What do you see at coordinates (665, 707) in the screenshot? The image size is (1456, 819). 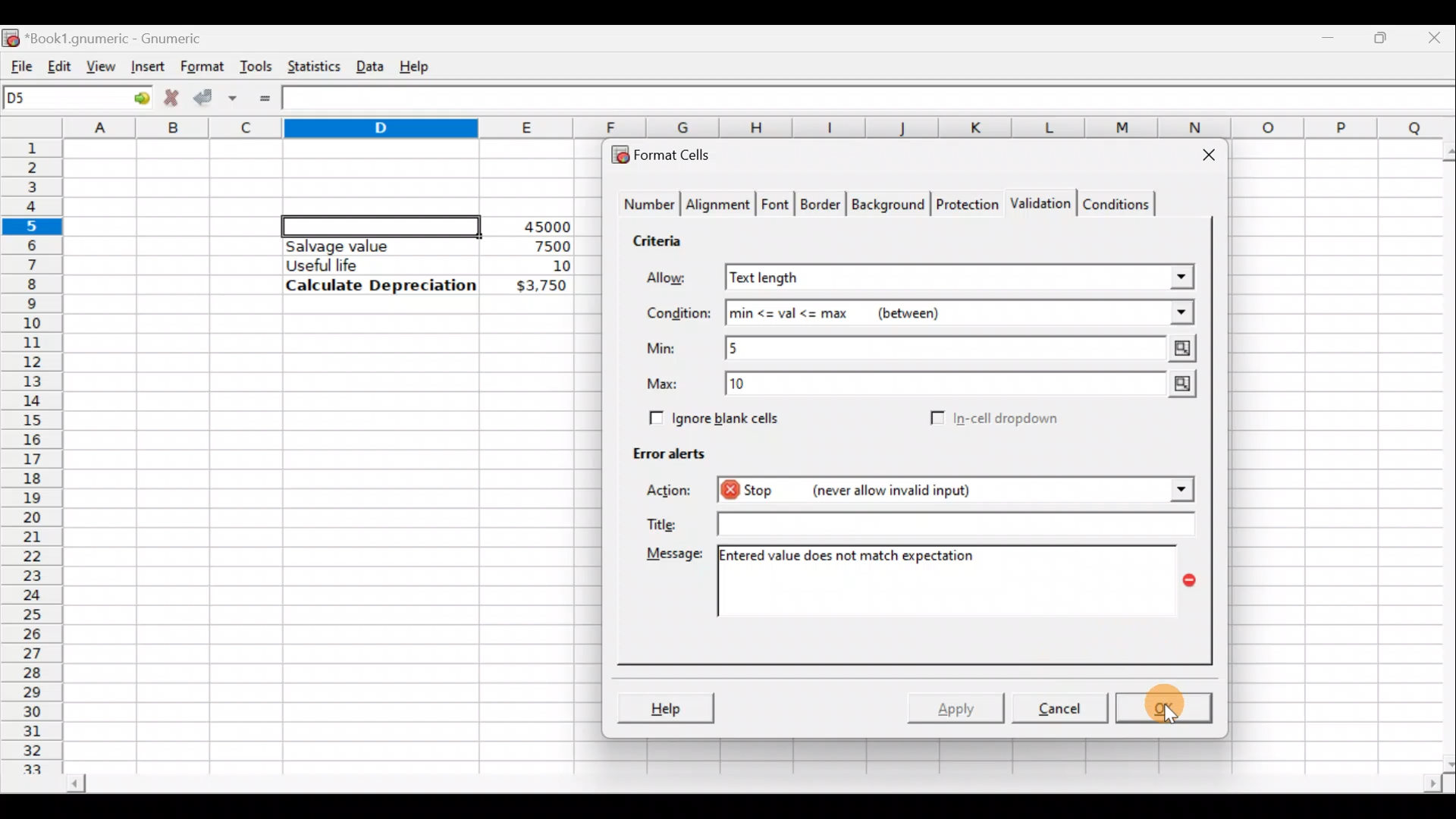 I see `Help` at bounding box center [665, 707].